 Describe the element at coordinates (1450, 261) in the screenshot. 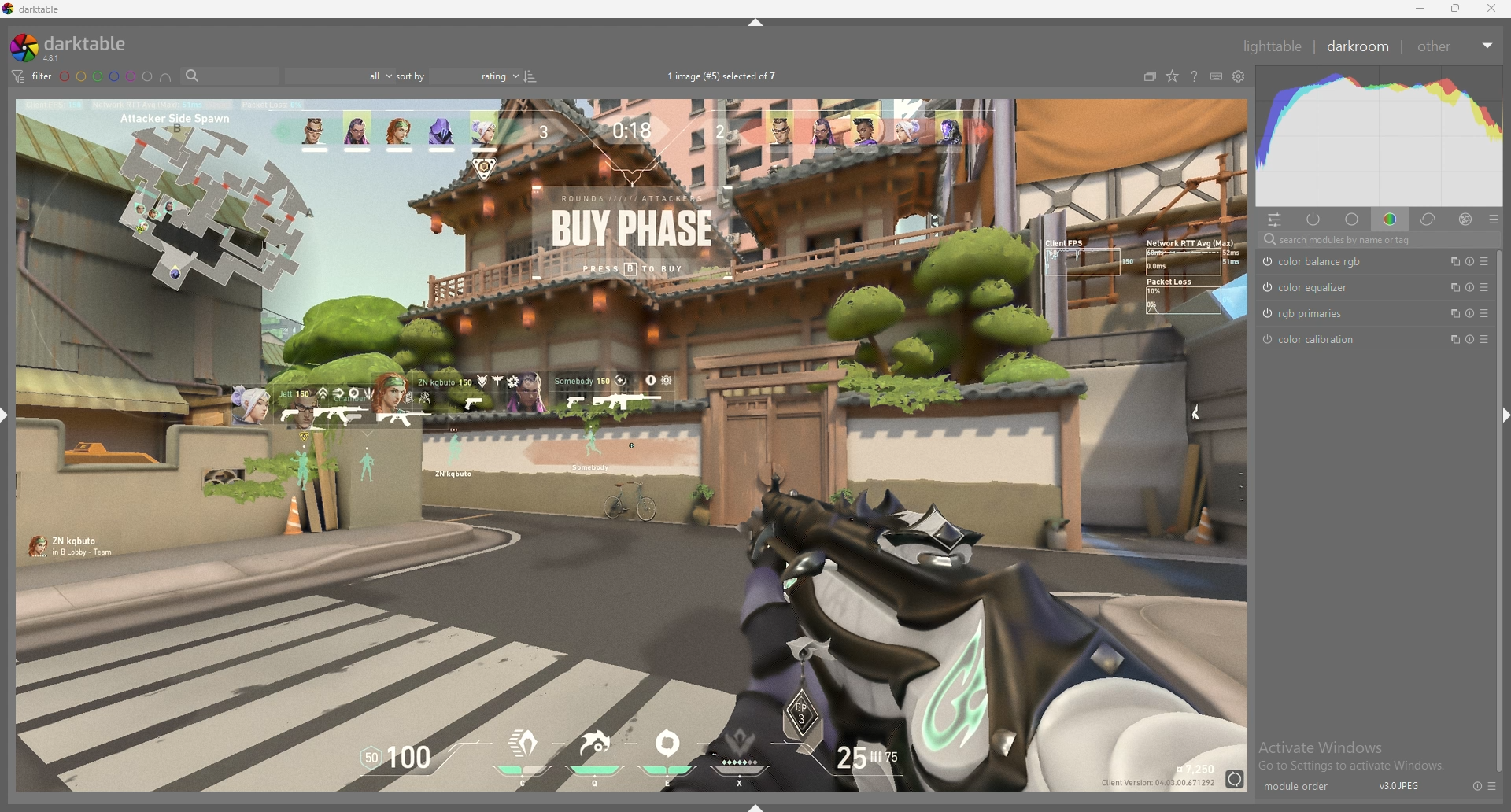

I see `multiple instance actions` at that location.